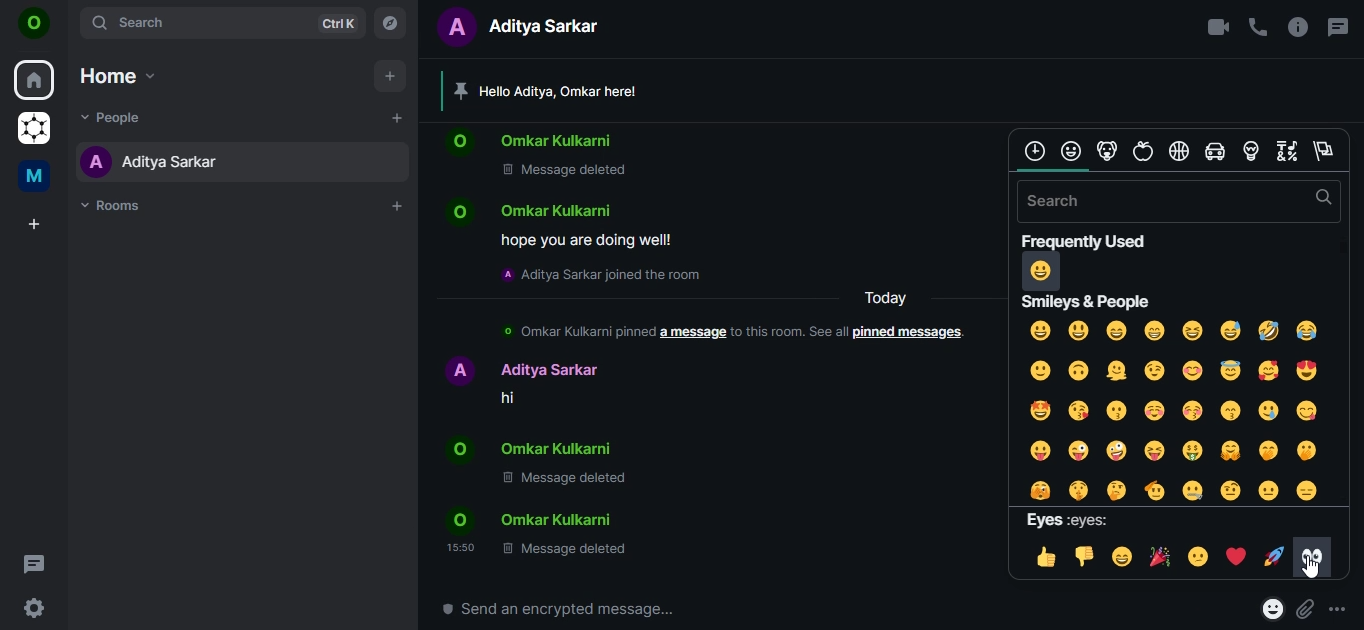  What do you see at coordinates (1046, 560) in the screenshot?
I see `thumbs up` at bounding box center [1046, 560].